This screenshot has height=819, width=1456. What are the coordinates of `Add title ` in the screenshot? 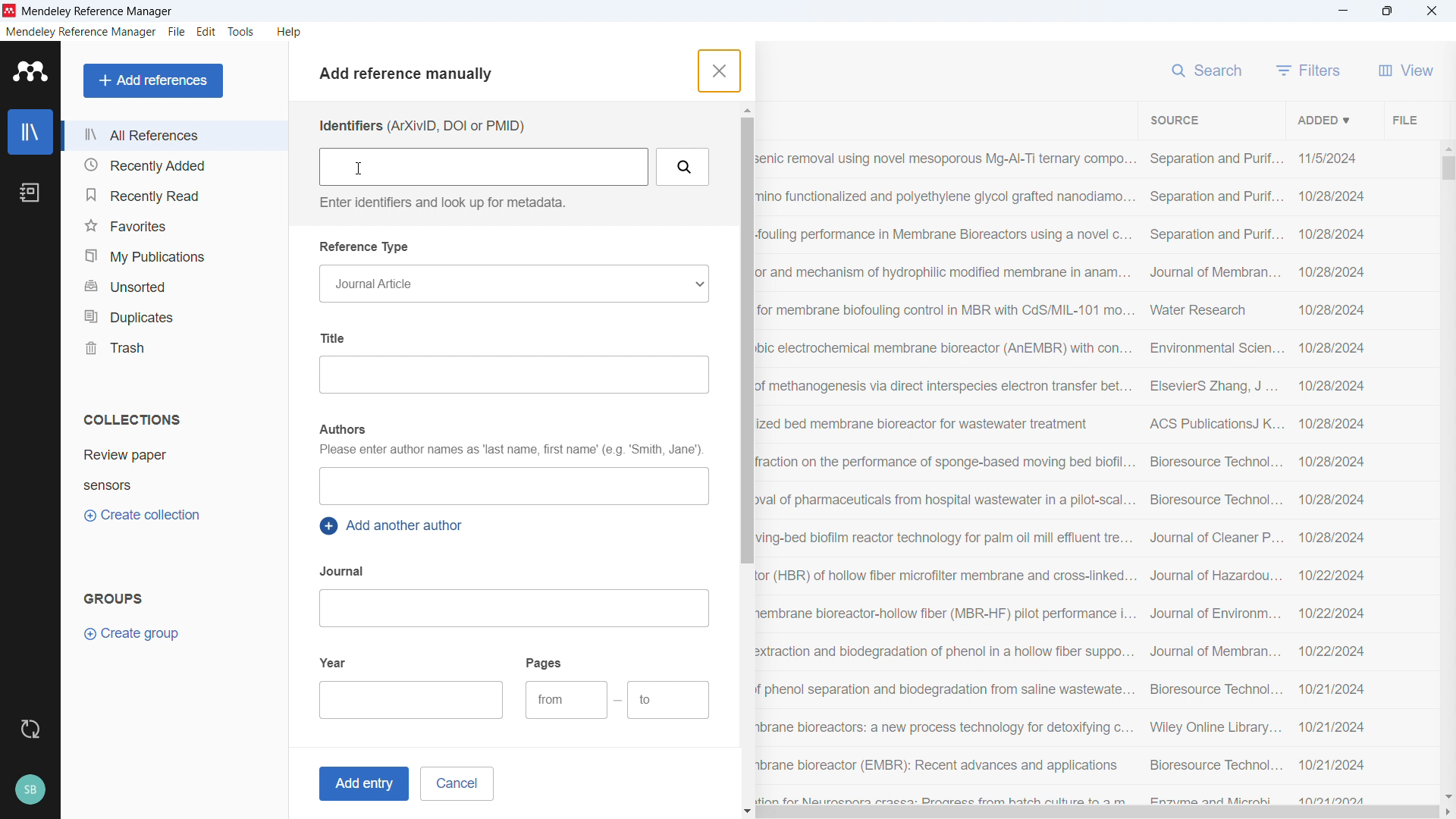 It's located at (513, 375).